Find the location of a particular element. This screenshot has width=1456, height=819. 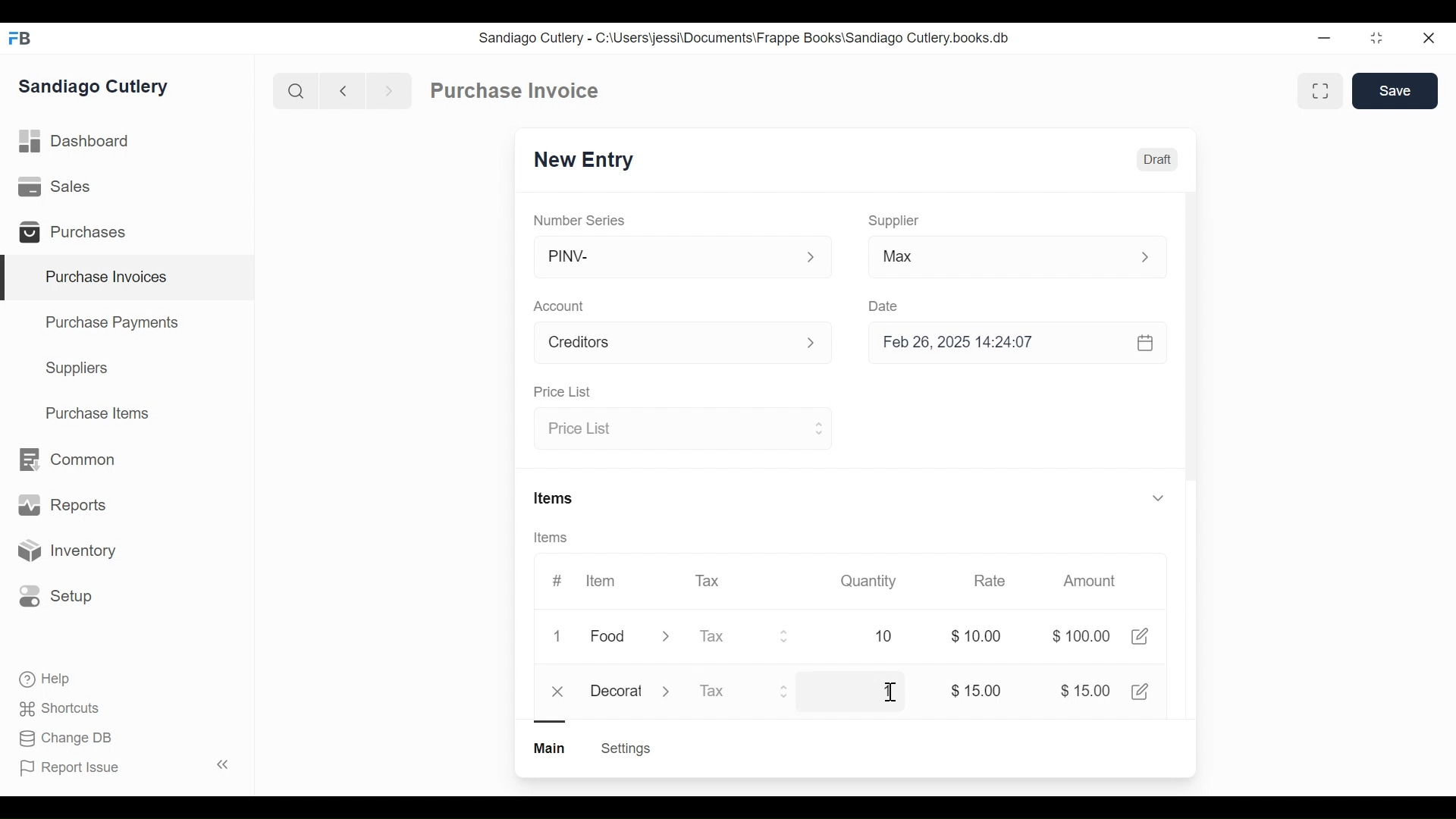

Navigate forward is located at coordinates (388, 89).